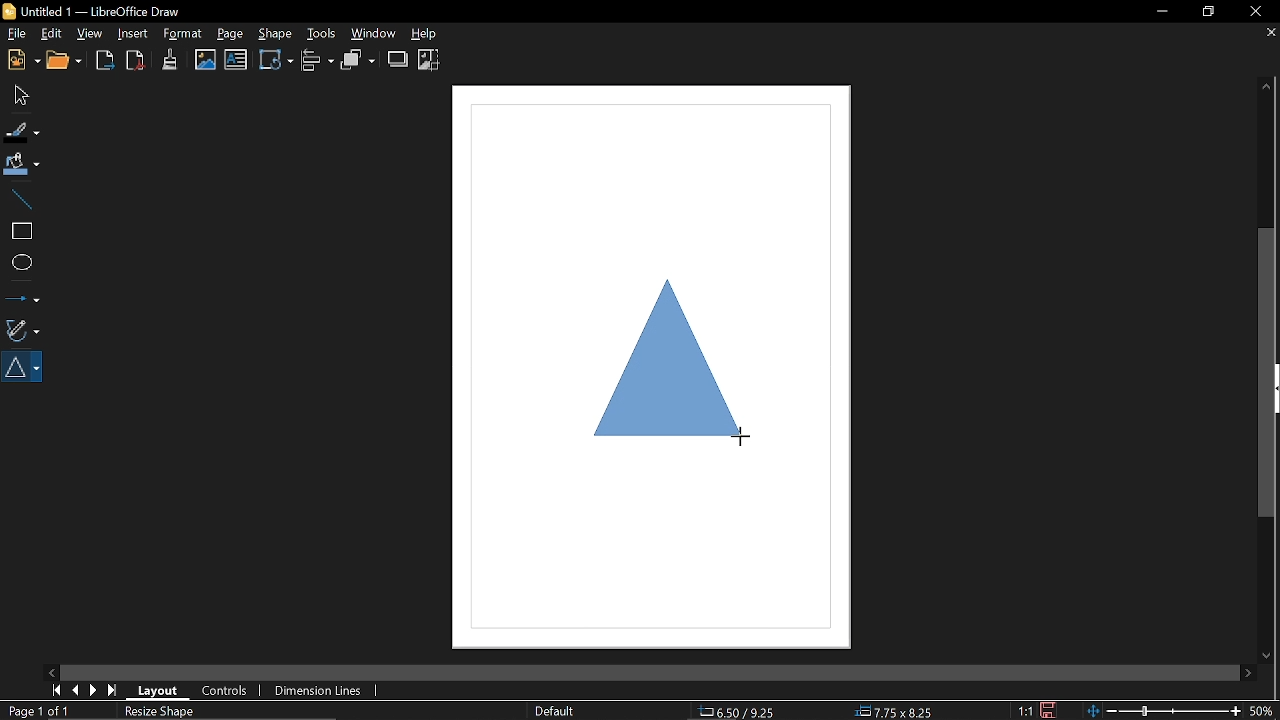 The image size is (1280, 720). What do you see at coordinates (106, 62) in the screenshot?
I see `Export` at bounding box center [106, 62].